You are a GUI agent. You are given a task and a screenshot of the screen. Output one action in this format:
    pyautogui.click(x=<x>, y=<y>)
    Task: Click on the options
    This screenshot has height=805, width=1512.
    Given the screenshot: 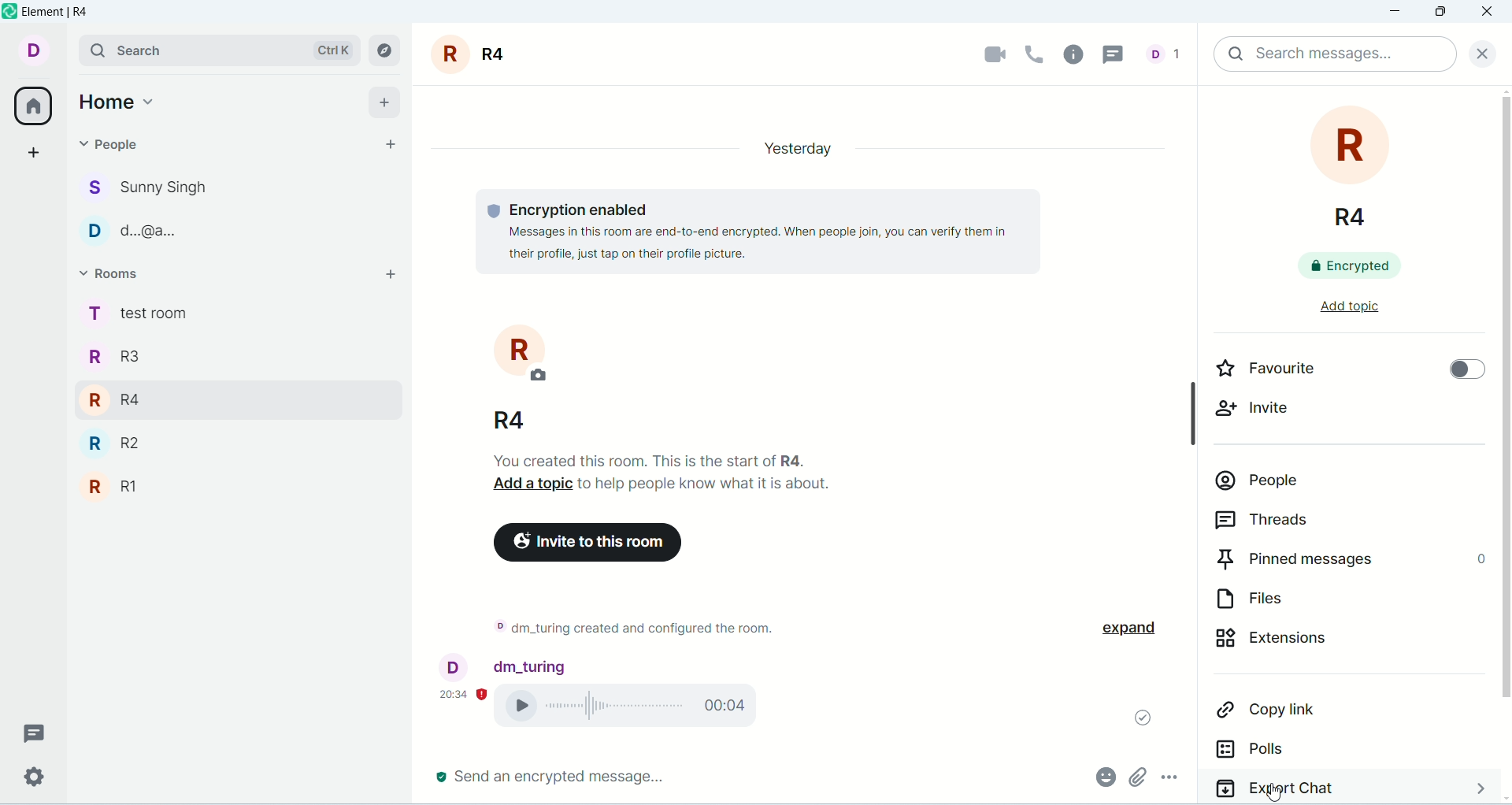 What is the action you would take?
    pyautogui.click(x=1178, y=780)
    